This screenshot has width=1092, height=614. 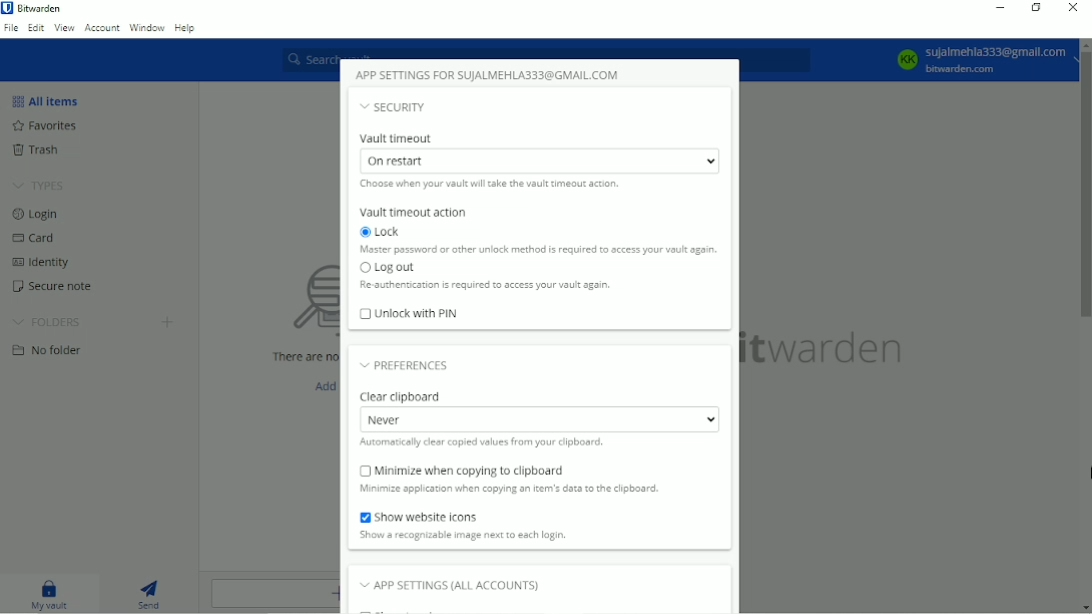 I want to click on Account, so click(x=102, y=26).